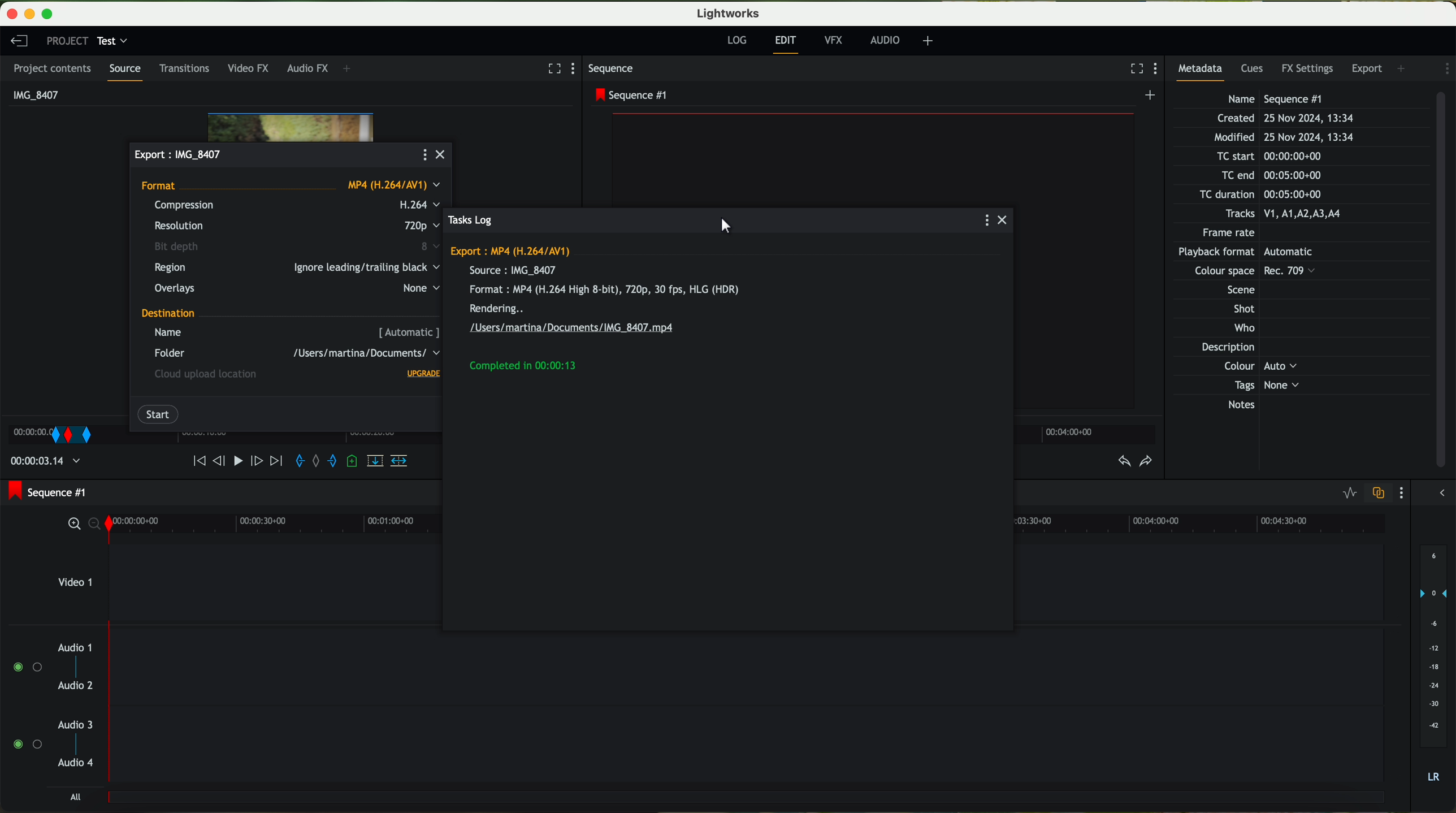 The width and height of the screenshot is (1456, 813). What do you see at coordinates (814, 462) in the screenshot?
I see `play` at bounding box center [814, 462].